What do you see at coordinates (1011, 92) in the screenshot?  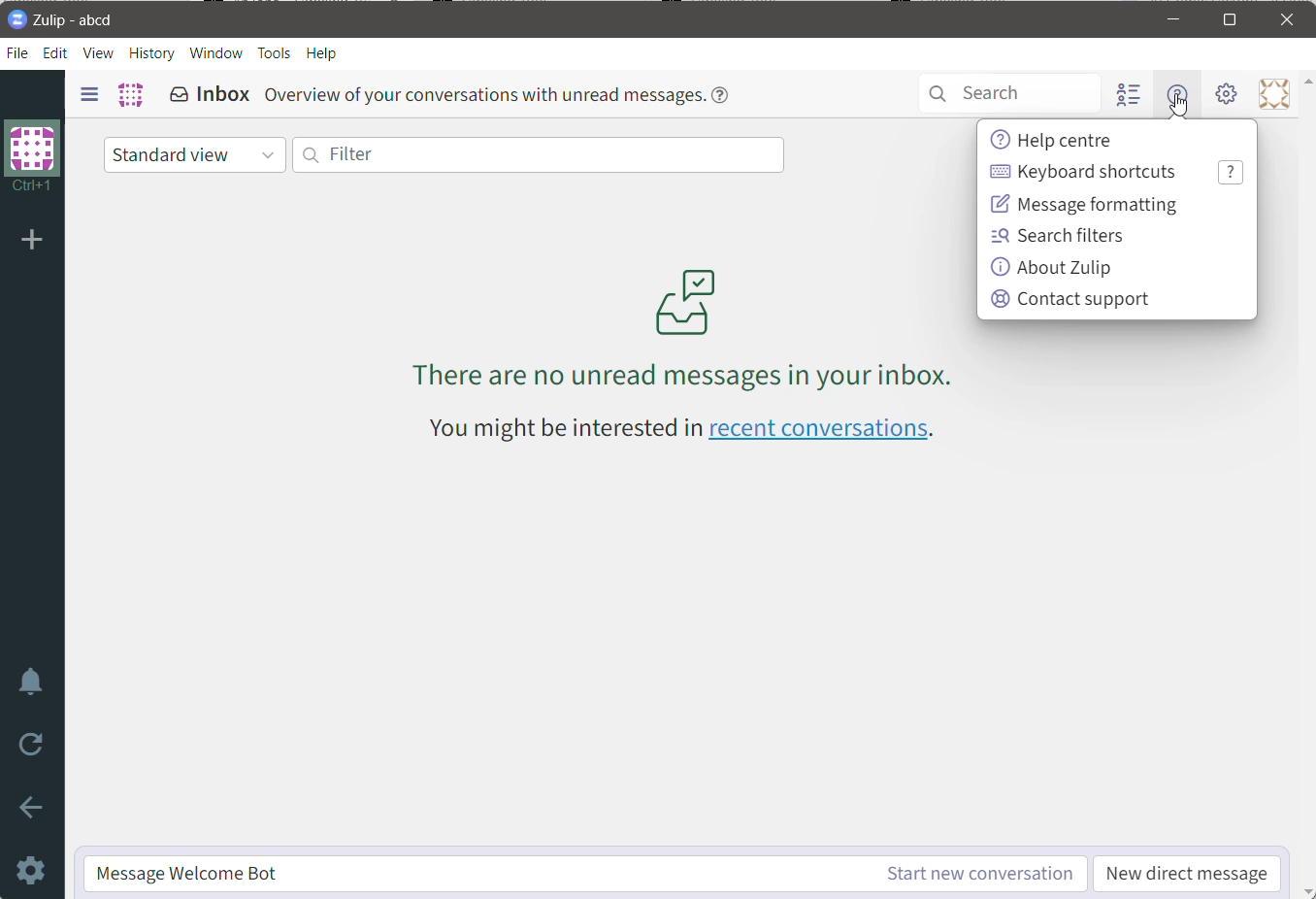 I see `Search` at bounding box center [1011, 92].